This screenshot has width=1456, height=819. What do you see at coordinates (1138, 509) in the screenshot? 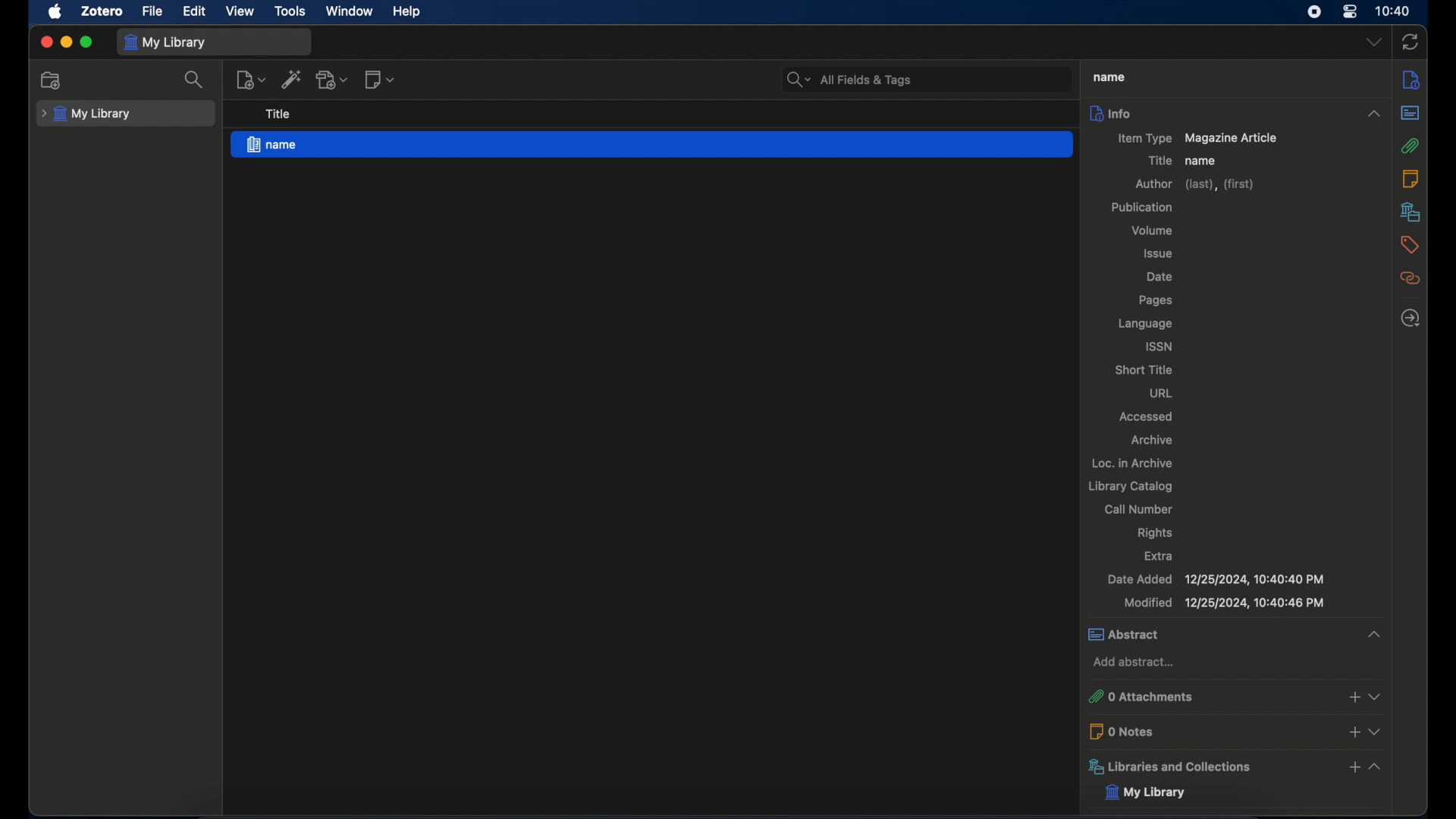
I see `call number` at bounding box center [1138, 509].